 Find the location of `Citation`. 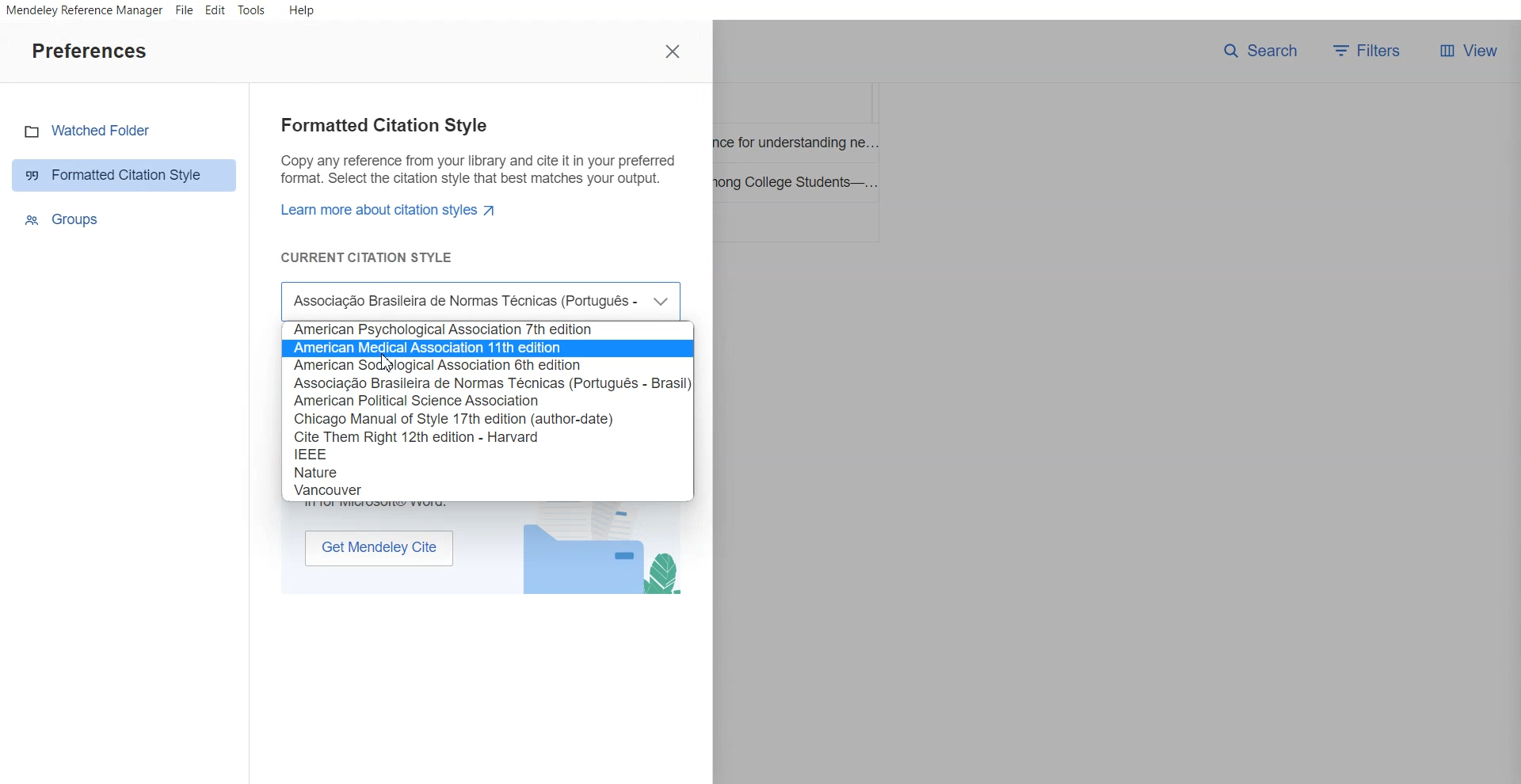

Citation is located at coordinates (322, 470).